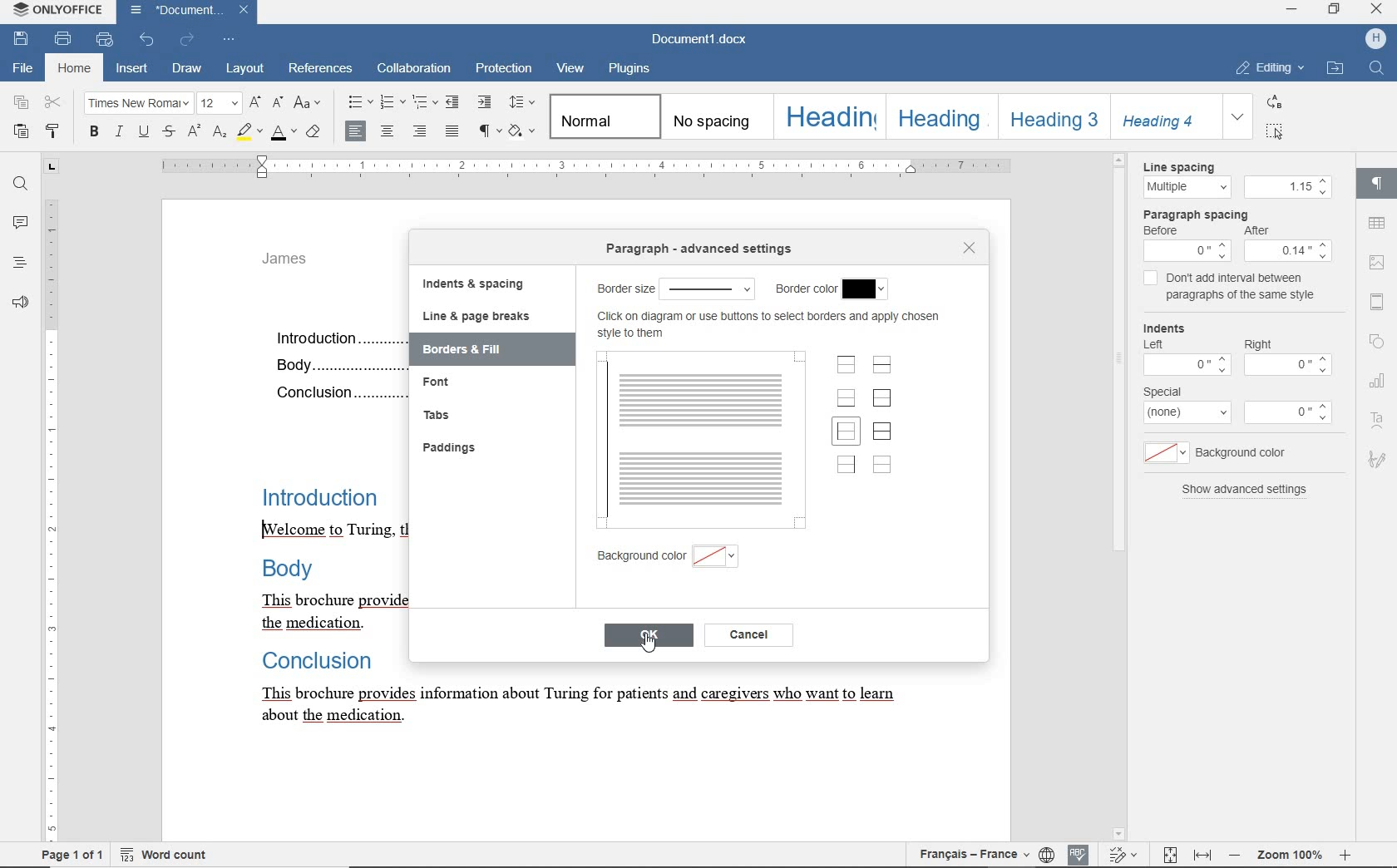 This screenshot has height=868, width=1397. I want to click on indents, so click(1172, 327).